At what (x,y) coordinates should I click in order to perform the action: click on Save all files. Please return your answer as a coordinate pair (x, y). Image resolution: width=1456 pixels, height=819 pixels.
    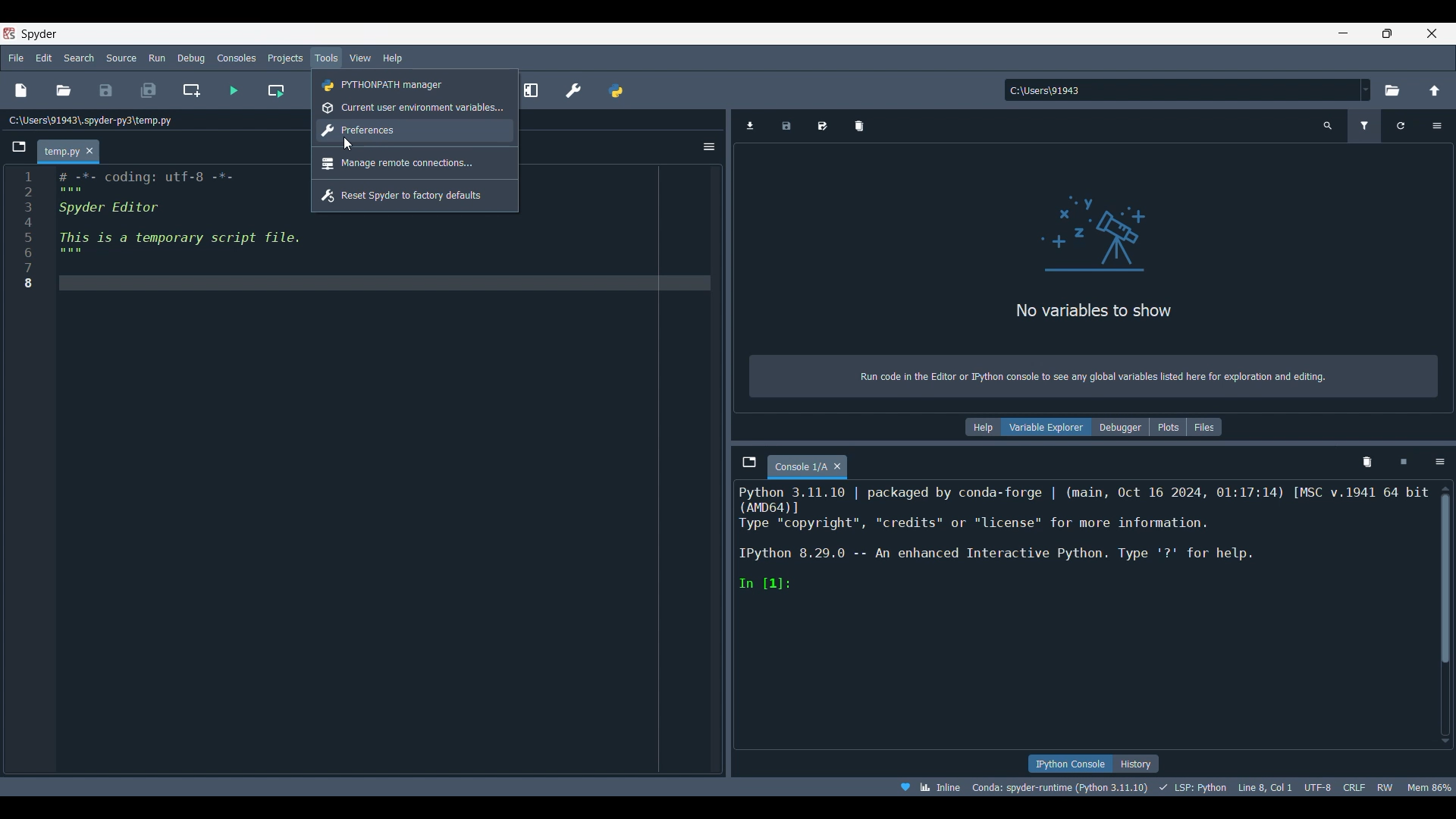
    Looking at the image, I should click on (148, 90).